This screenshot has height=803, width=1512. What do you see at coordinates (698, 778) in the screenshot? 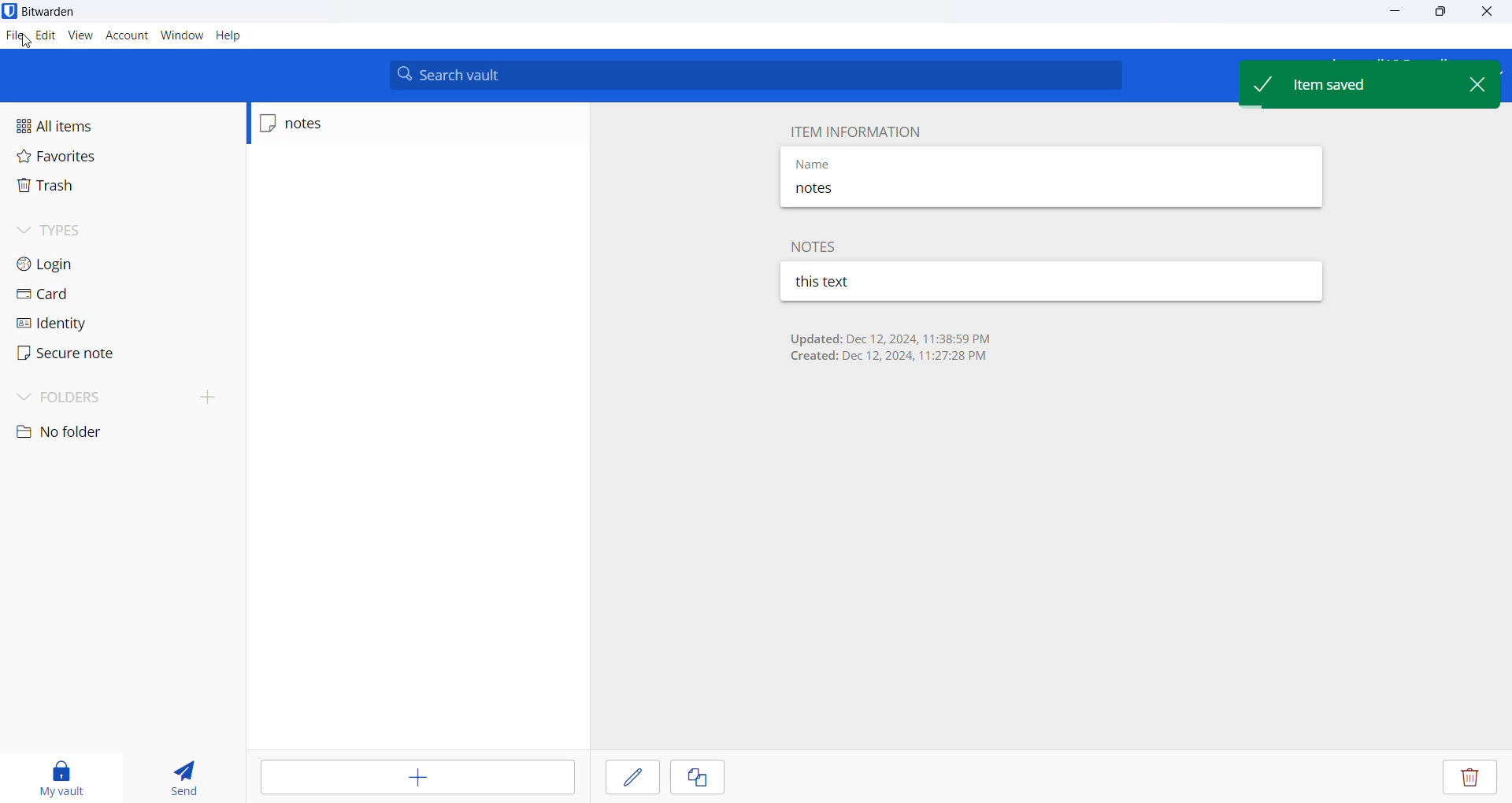
I see `copy` at bounding box center [698, 778].